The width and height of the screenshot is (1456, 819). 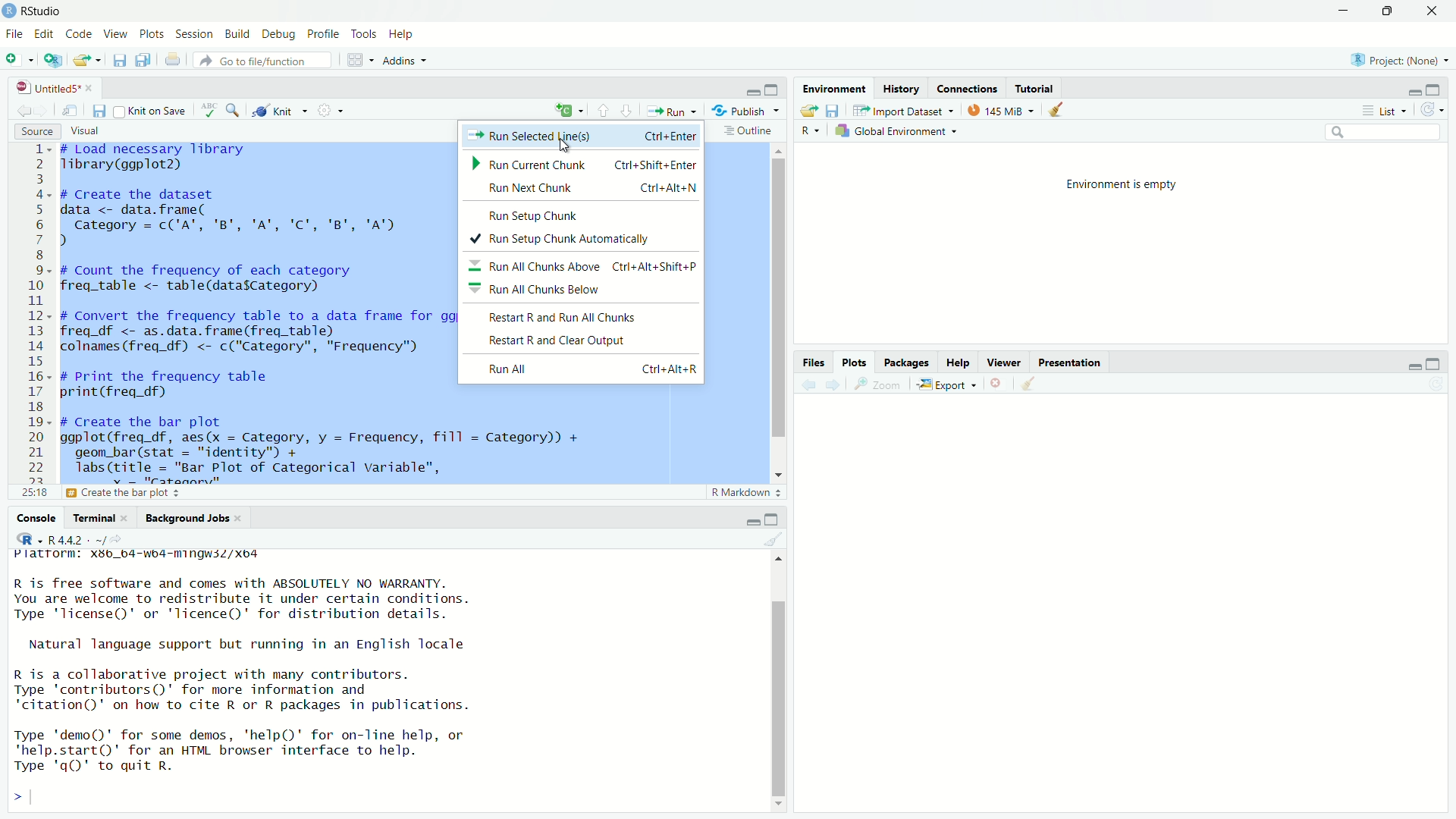 I want to click on Import Dataset, so click(x=900, y=111).